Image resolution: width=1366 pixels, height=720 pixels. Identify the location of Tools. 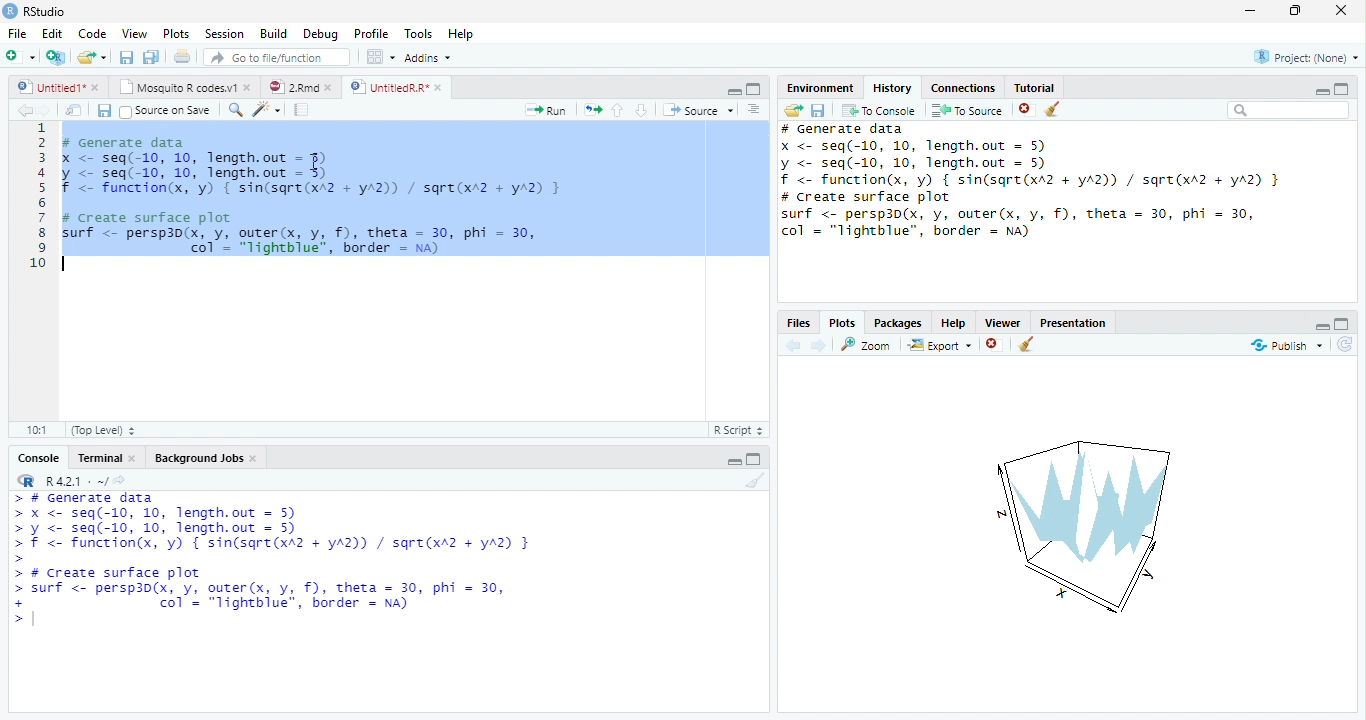
(416, 32).